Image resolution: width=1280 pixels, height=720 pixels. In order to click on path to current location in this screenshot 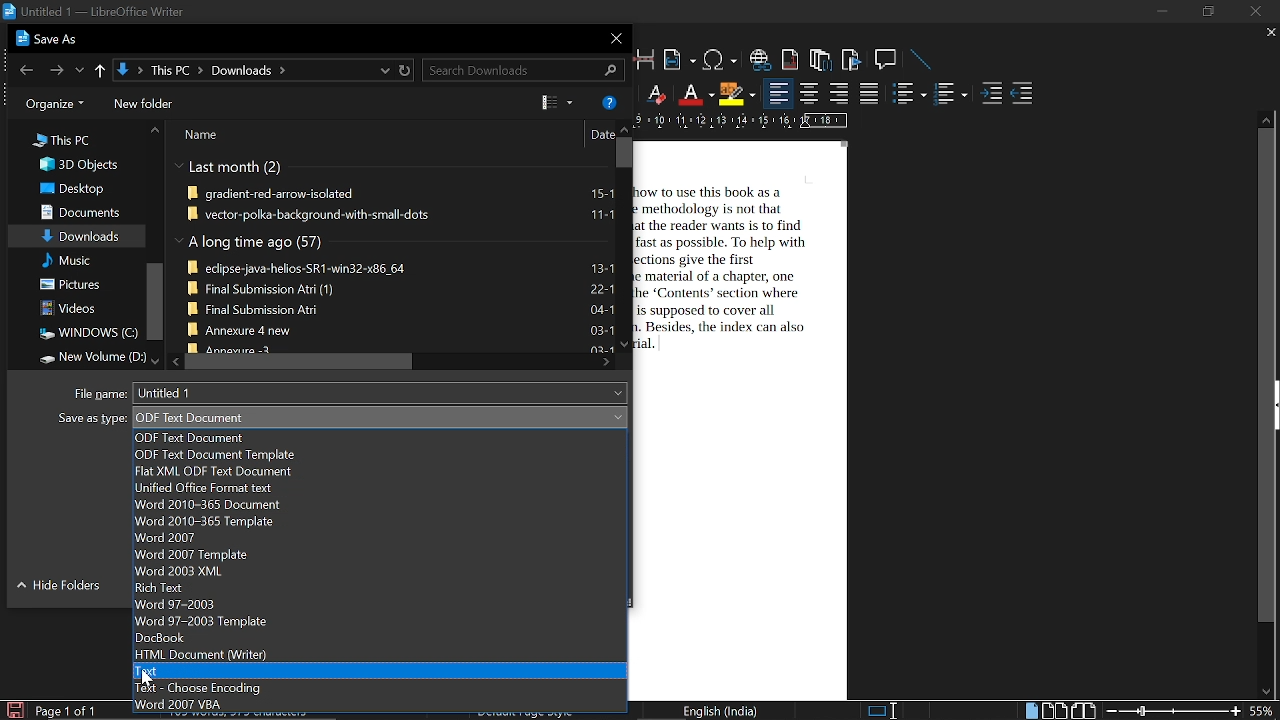, I will do `click(242, 70)`.